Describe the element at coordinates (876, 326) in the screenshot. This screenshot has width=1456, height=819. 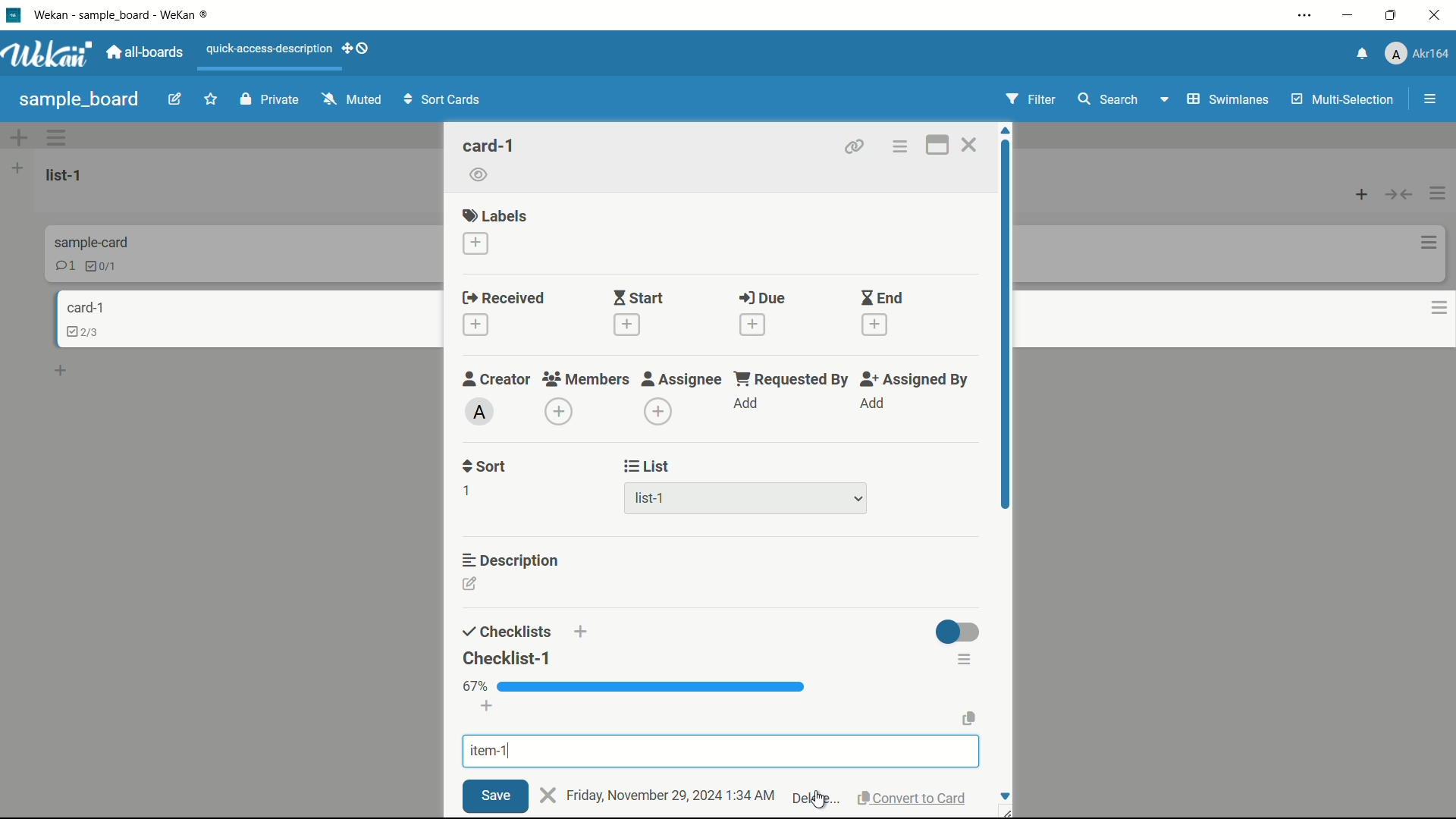
I see `add date` at that location.